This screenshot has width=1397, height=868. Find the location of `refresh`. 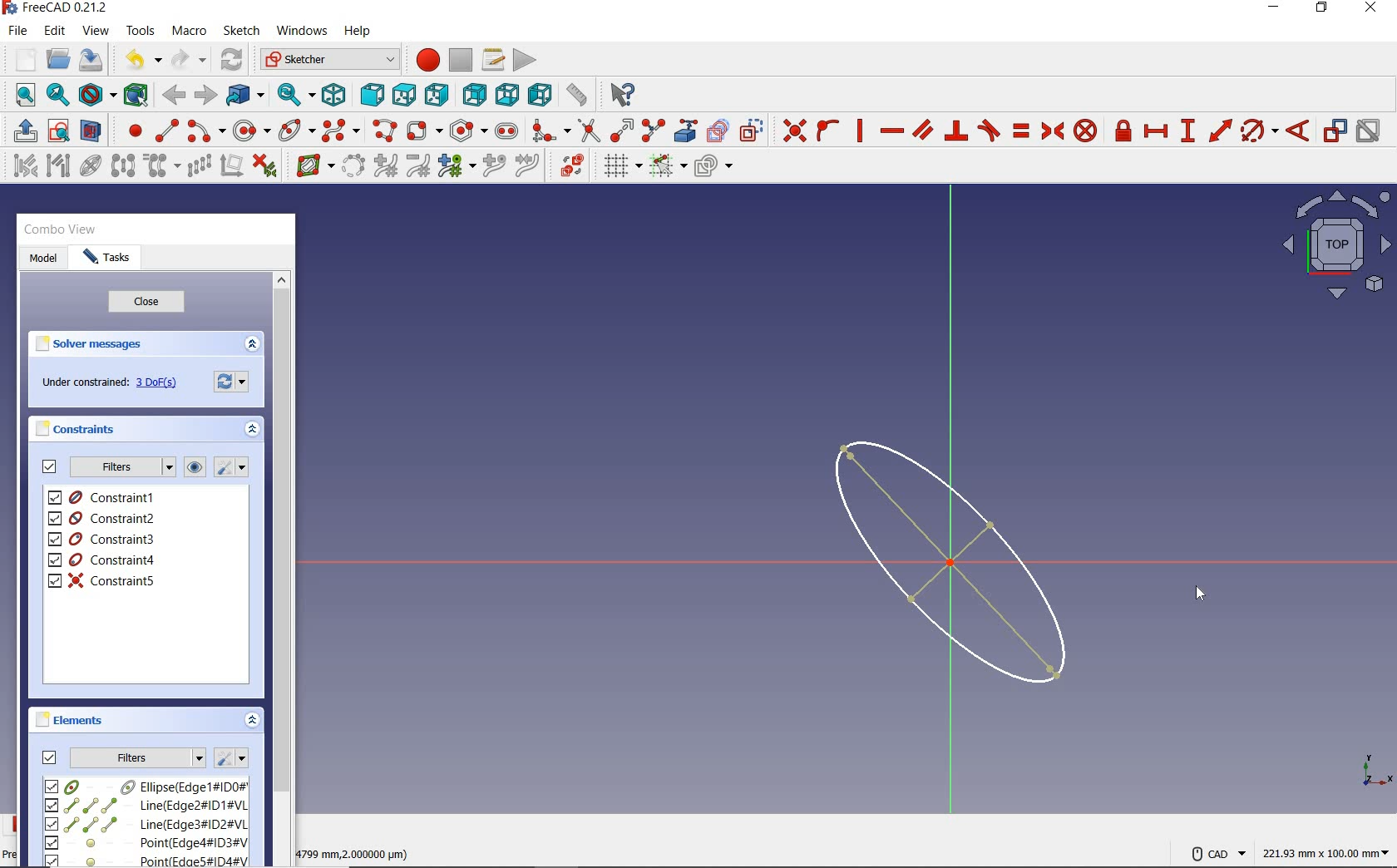

refresh is located at coordinates (234, 61).